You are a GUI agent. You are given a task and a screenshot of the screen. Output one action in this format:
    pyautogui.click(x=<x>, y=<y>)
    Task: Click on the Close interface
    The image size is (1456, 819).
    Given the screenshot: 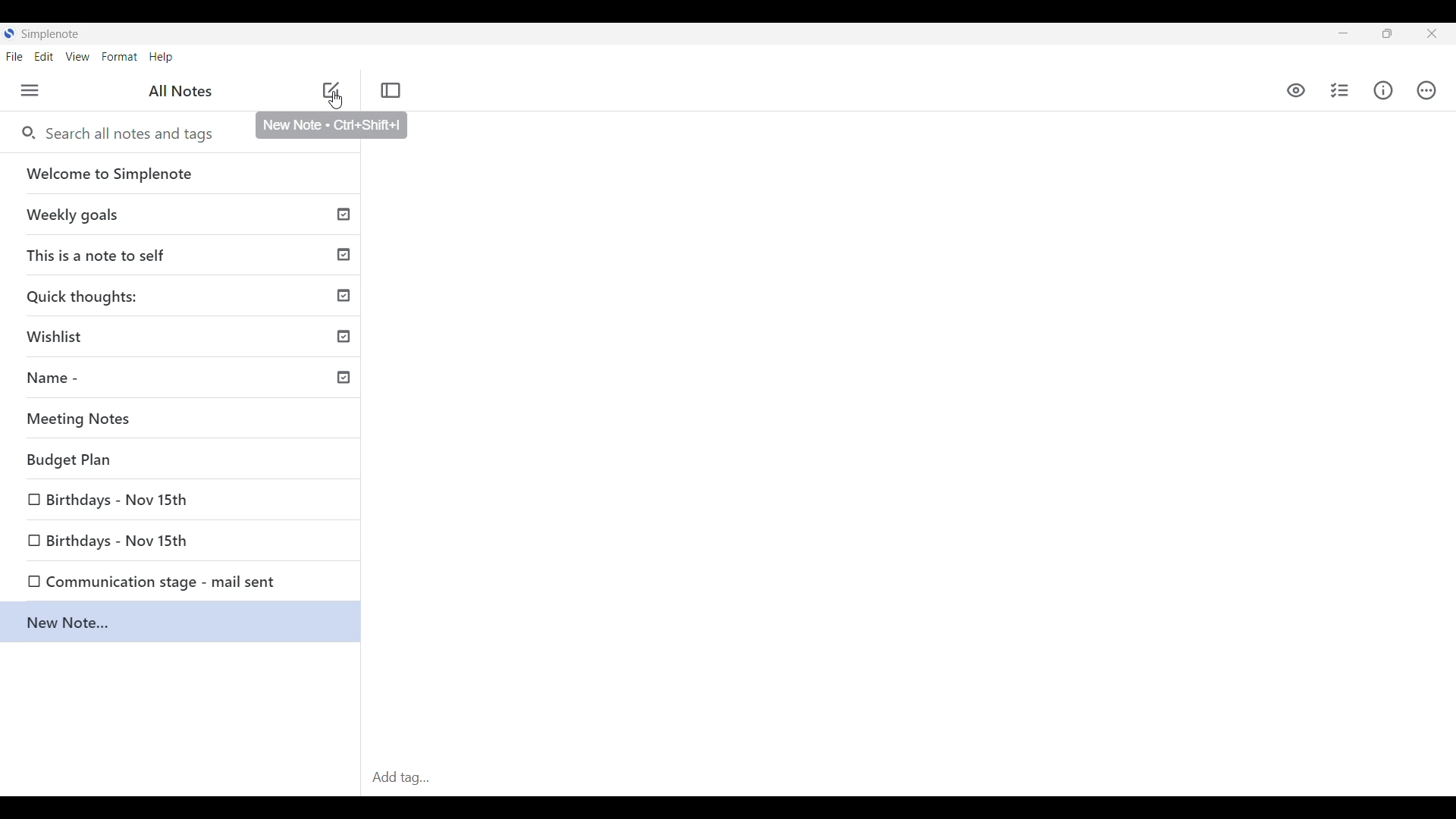 What is the action you would take?
    pyautogui.click(x=1432, y=33)
    